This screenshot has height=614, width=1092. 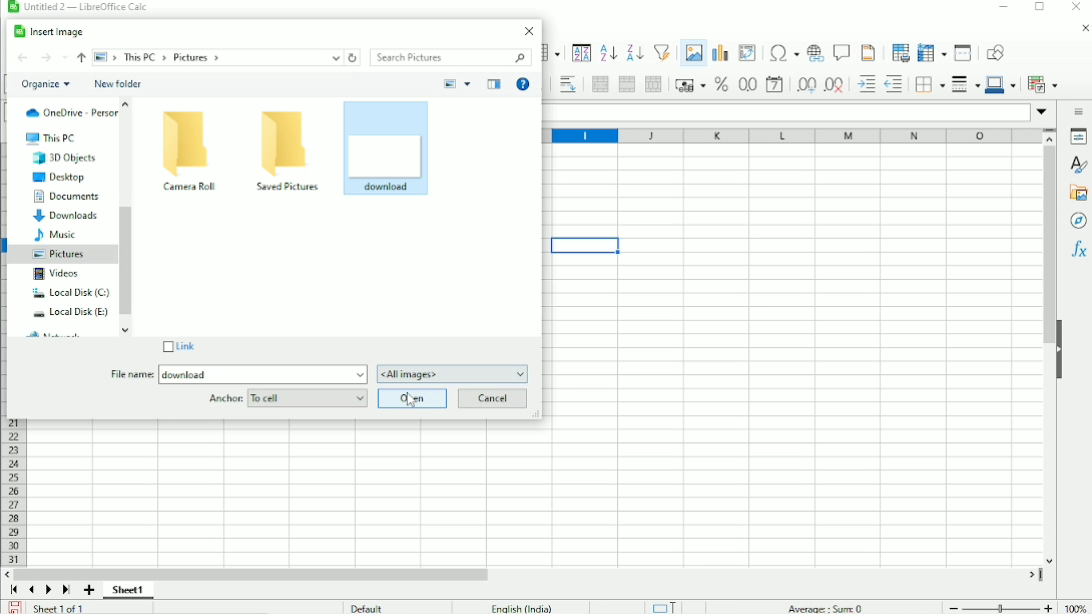 What do you see at coordinates (519, 606) in the screenshot?
I see `English (India)` at bounding box center [519, 606].